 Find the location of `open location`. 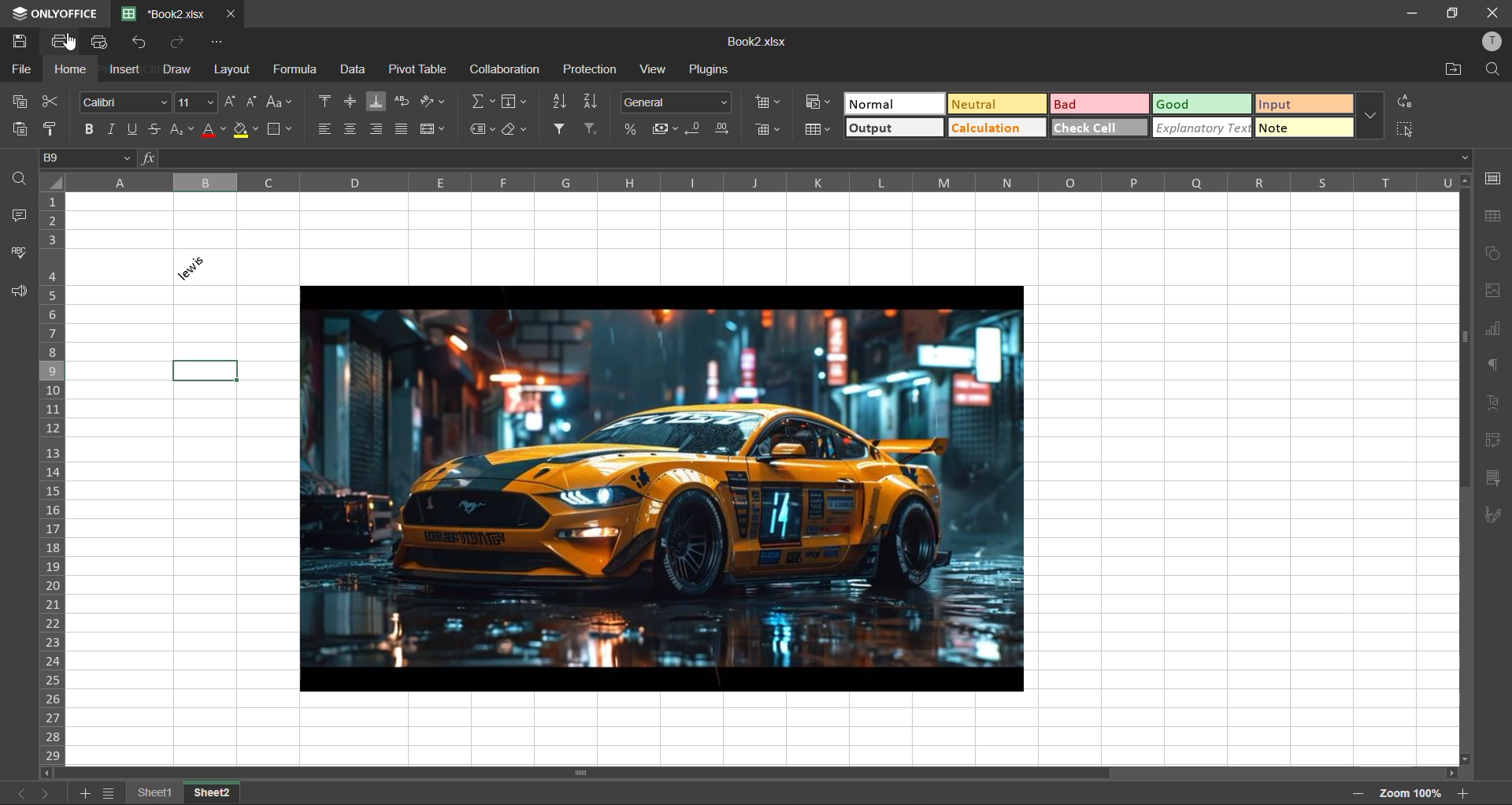

open location is located at coordinates (1451, 69).